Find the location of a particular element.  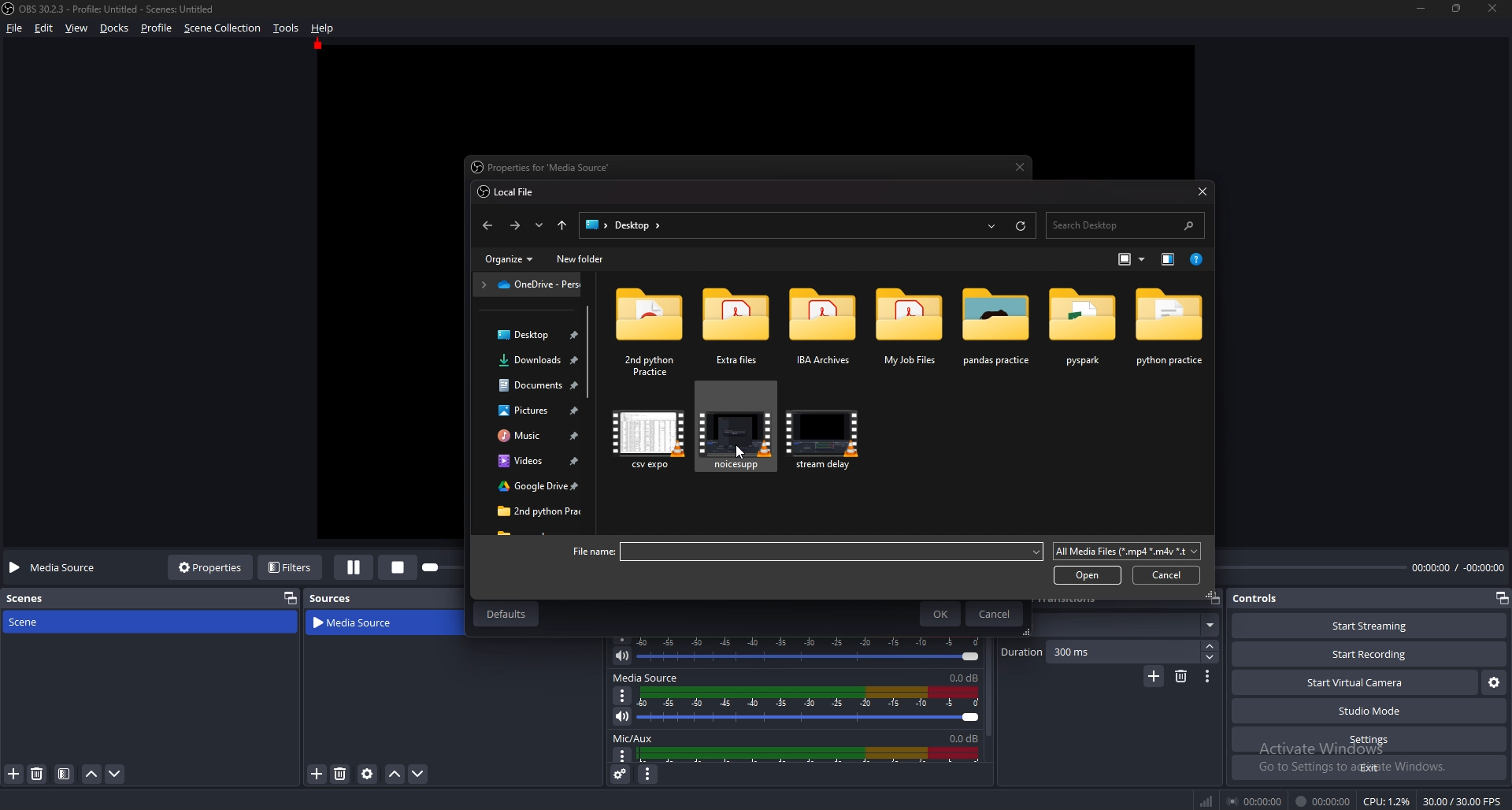

ok is located at coordinates (943, 614).